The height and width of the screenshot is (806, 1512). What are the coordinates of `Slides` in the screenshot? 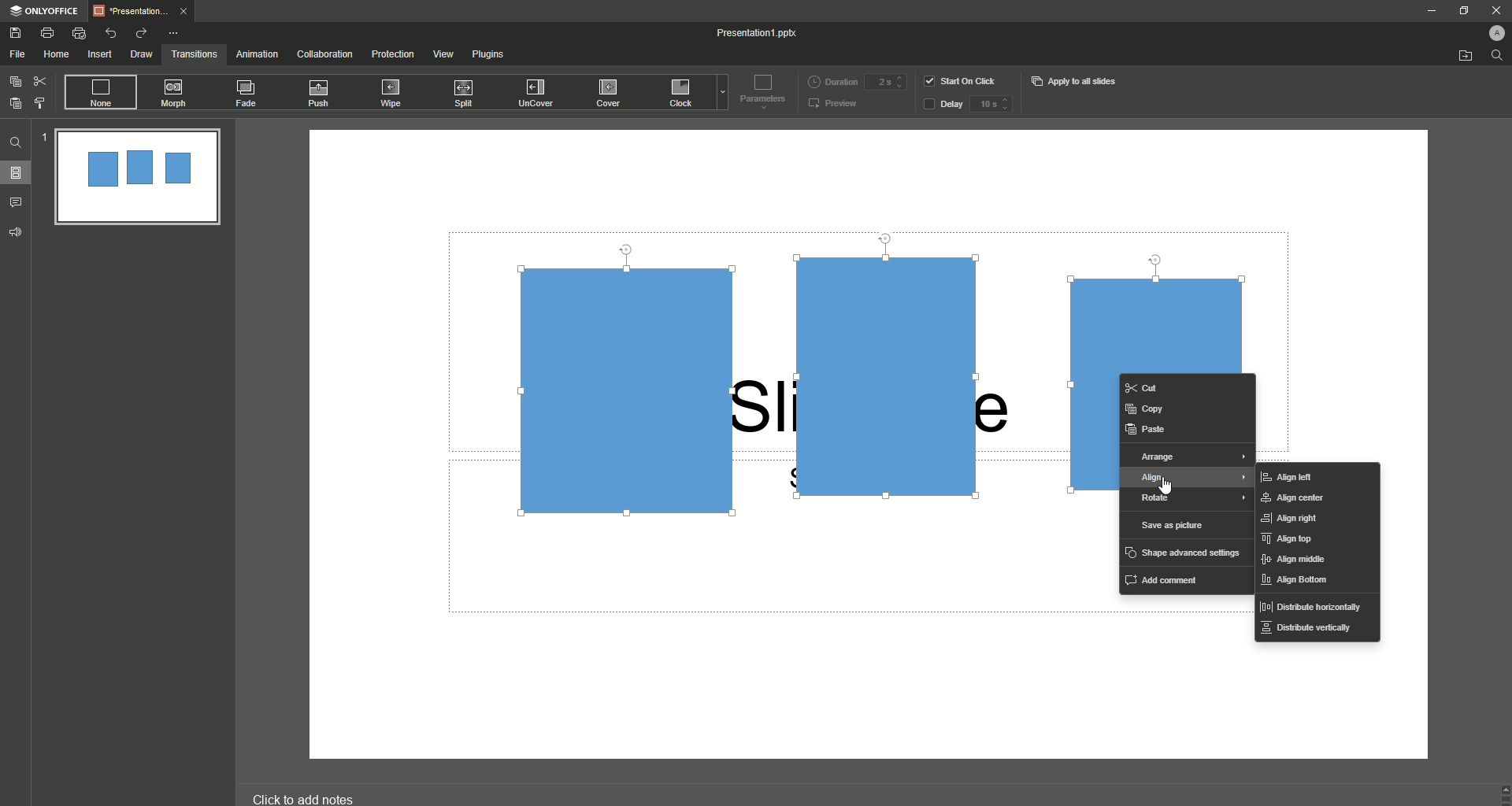 It's located at (20, 173).